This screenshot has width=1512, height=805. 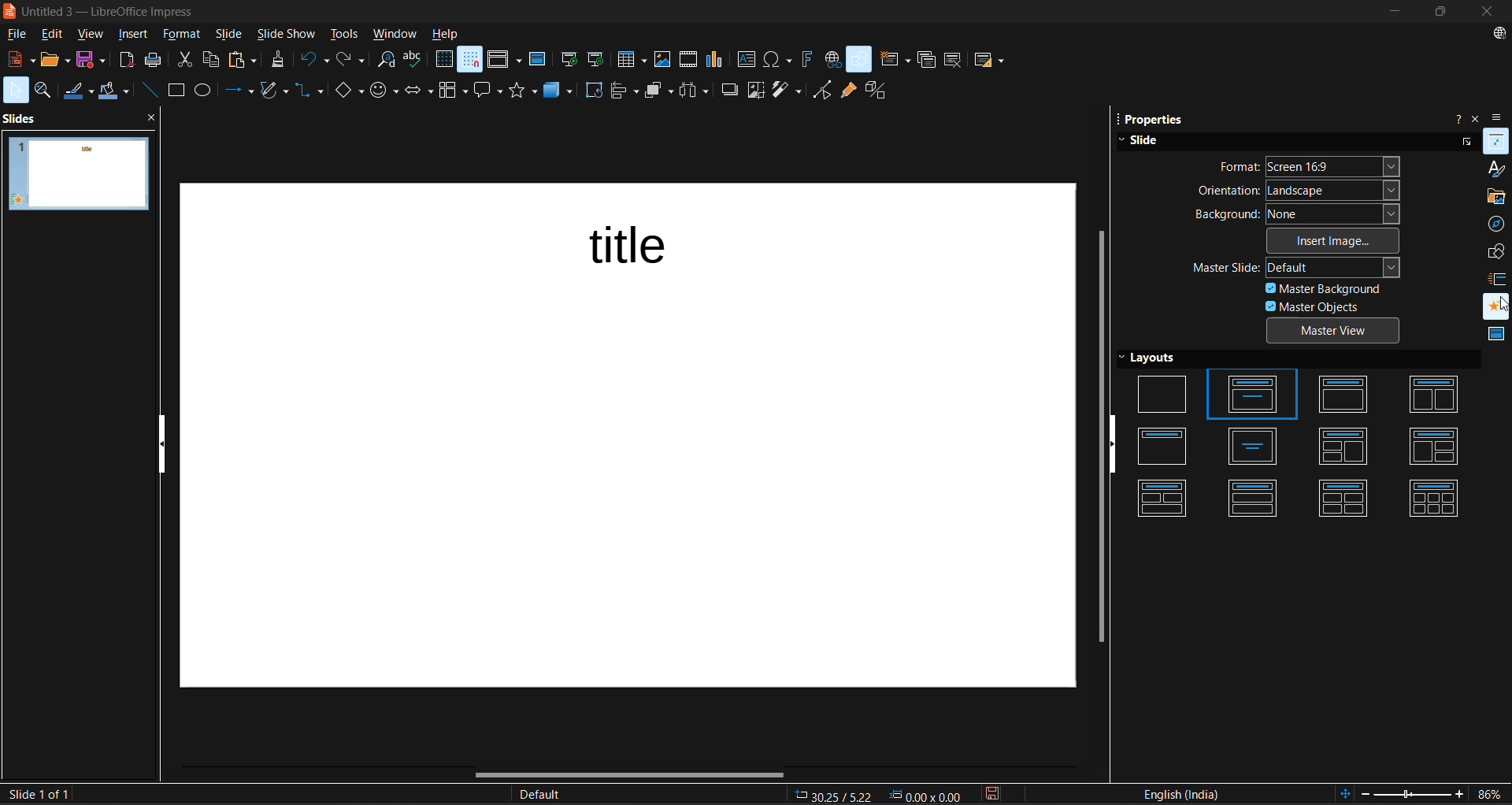 I want to click on toggle point edit mode, so click(x=825, y=91).